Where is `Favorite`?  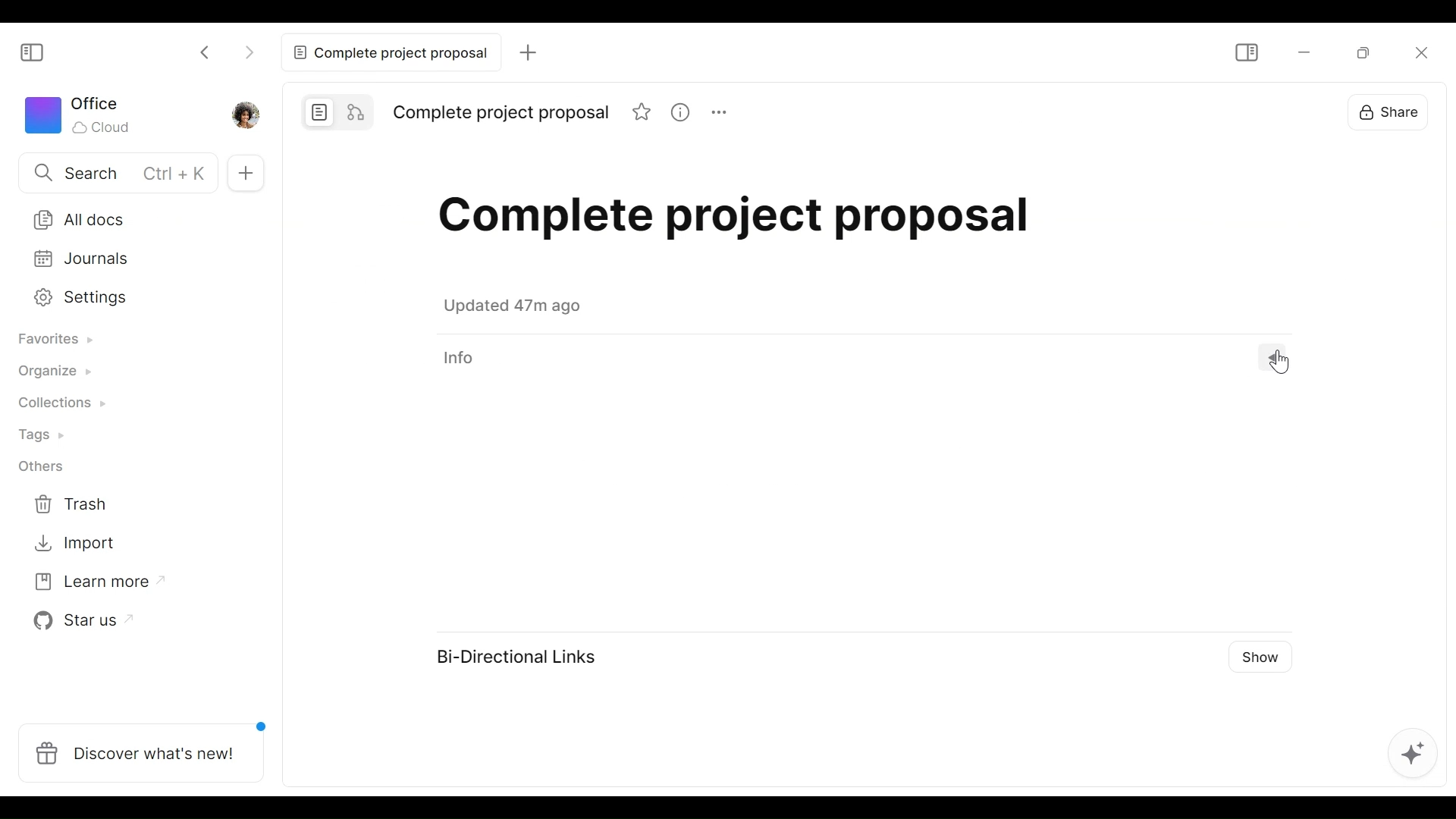
Favorite is located at coordinates (642, 111).